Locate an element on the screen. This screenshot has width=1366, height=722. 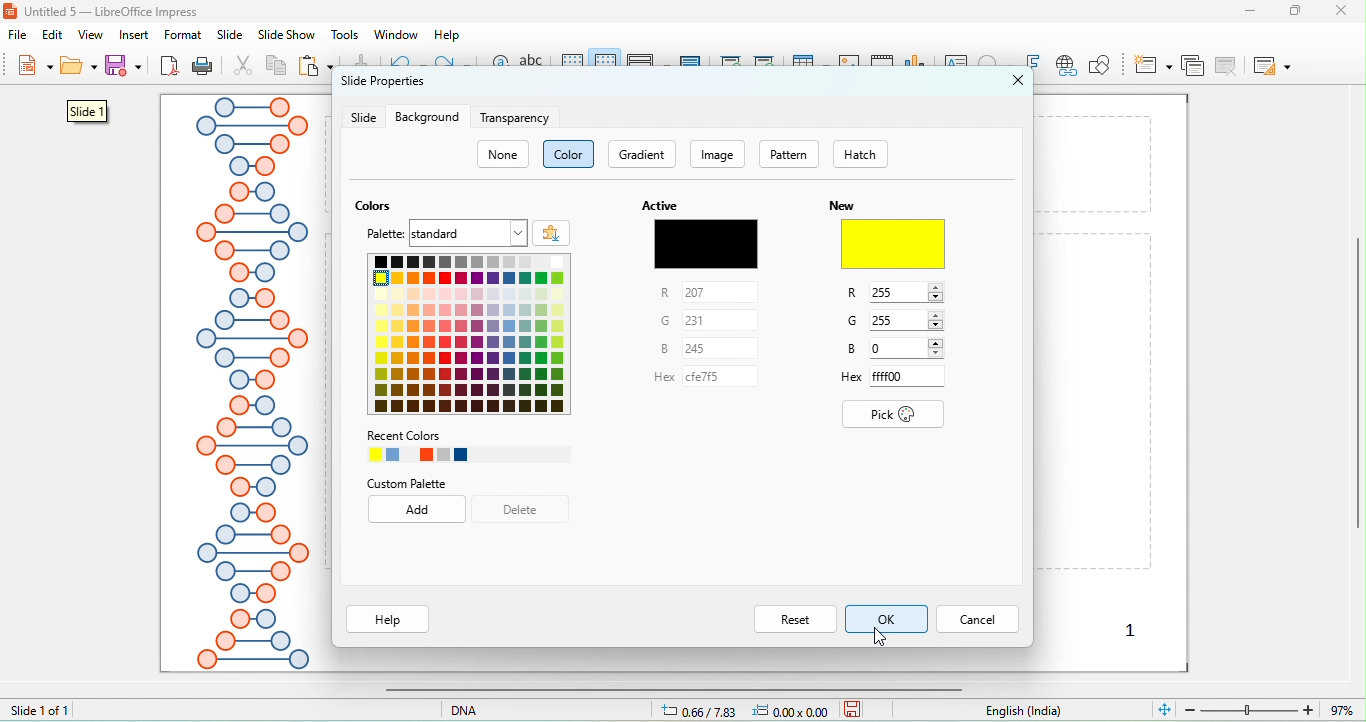
gradient is located at coordinates (643, 154).